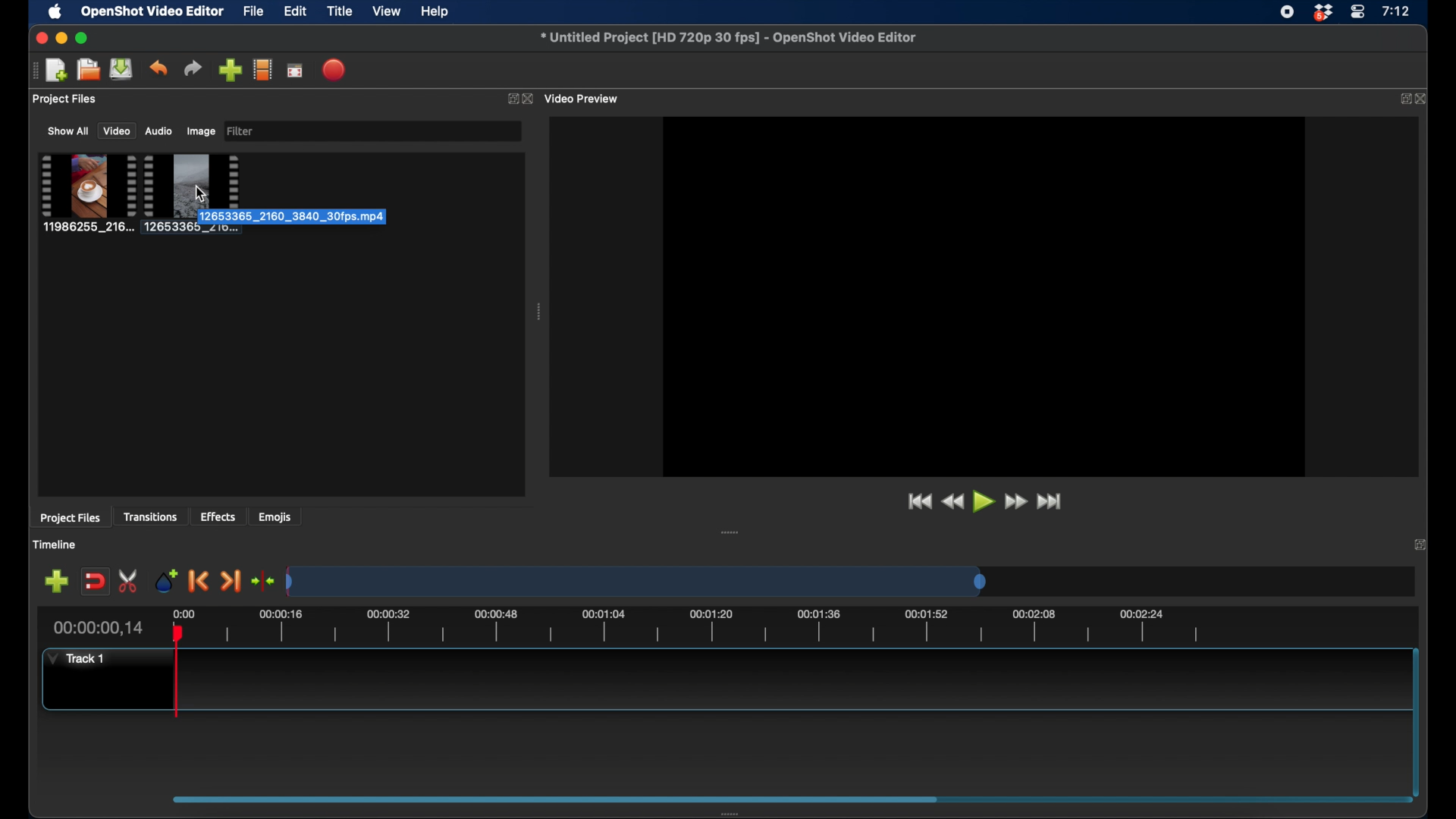  What do you see at coordinates (96, 580) in the screenshot?
I see `disbale snapping` at bounding box center [96, 580].